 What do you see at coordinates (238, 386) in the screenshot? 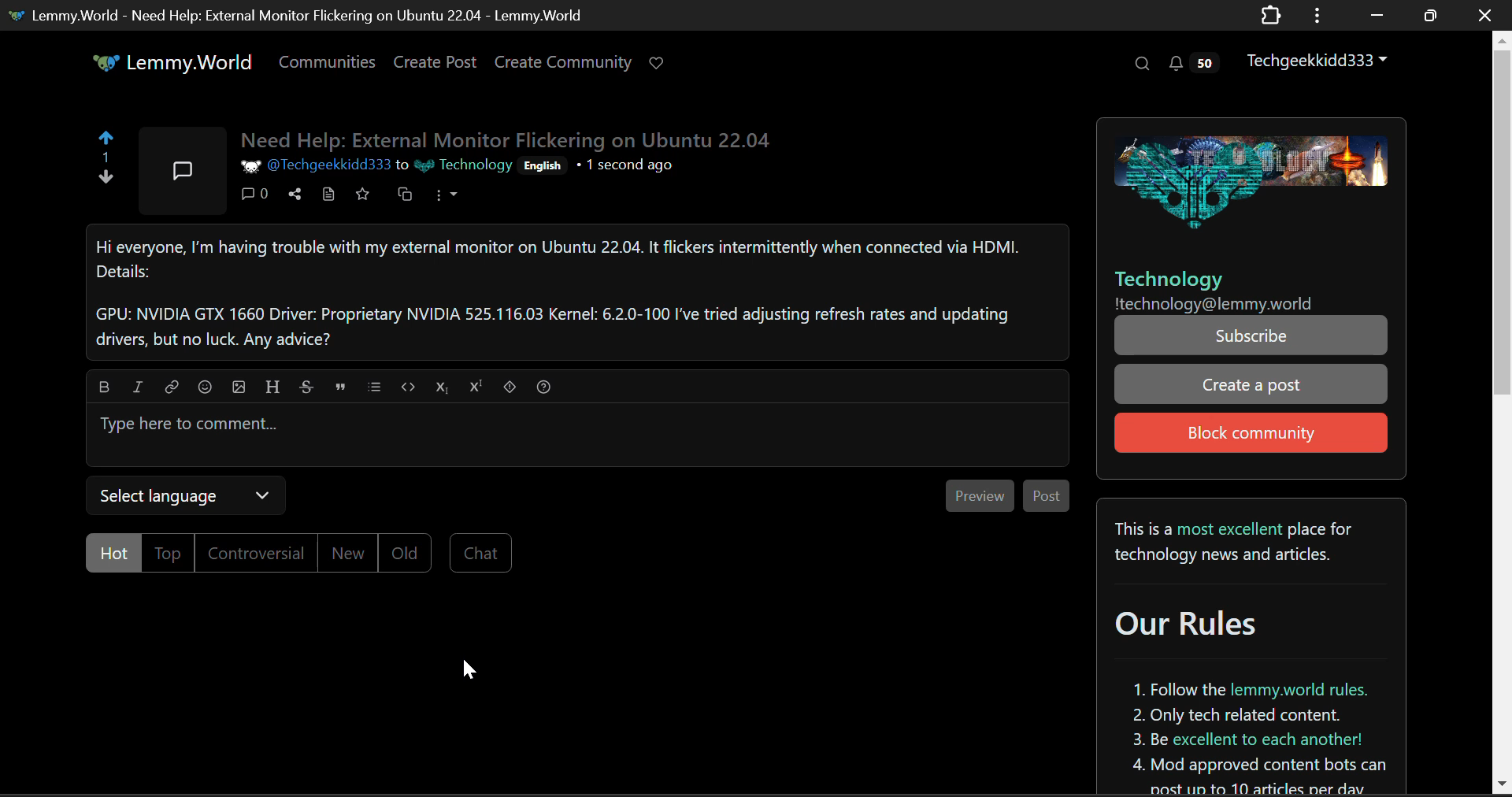
I see `Insert Picture` at bounding box center [238, 386].